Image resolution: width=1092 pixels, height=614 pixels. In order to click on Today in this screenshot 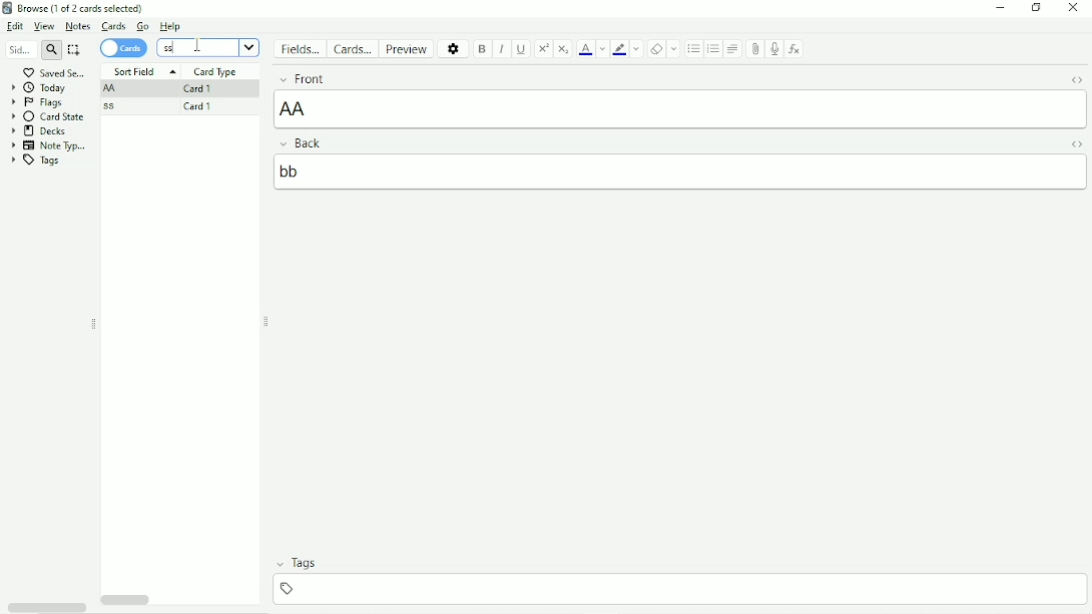, I will do `click(40, 88)`.